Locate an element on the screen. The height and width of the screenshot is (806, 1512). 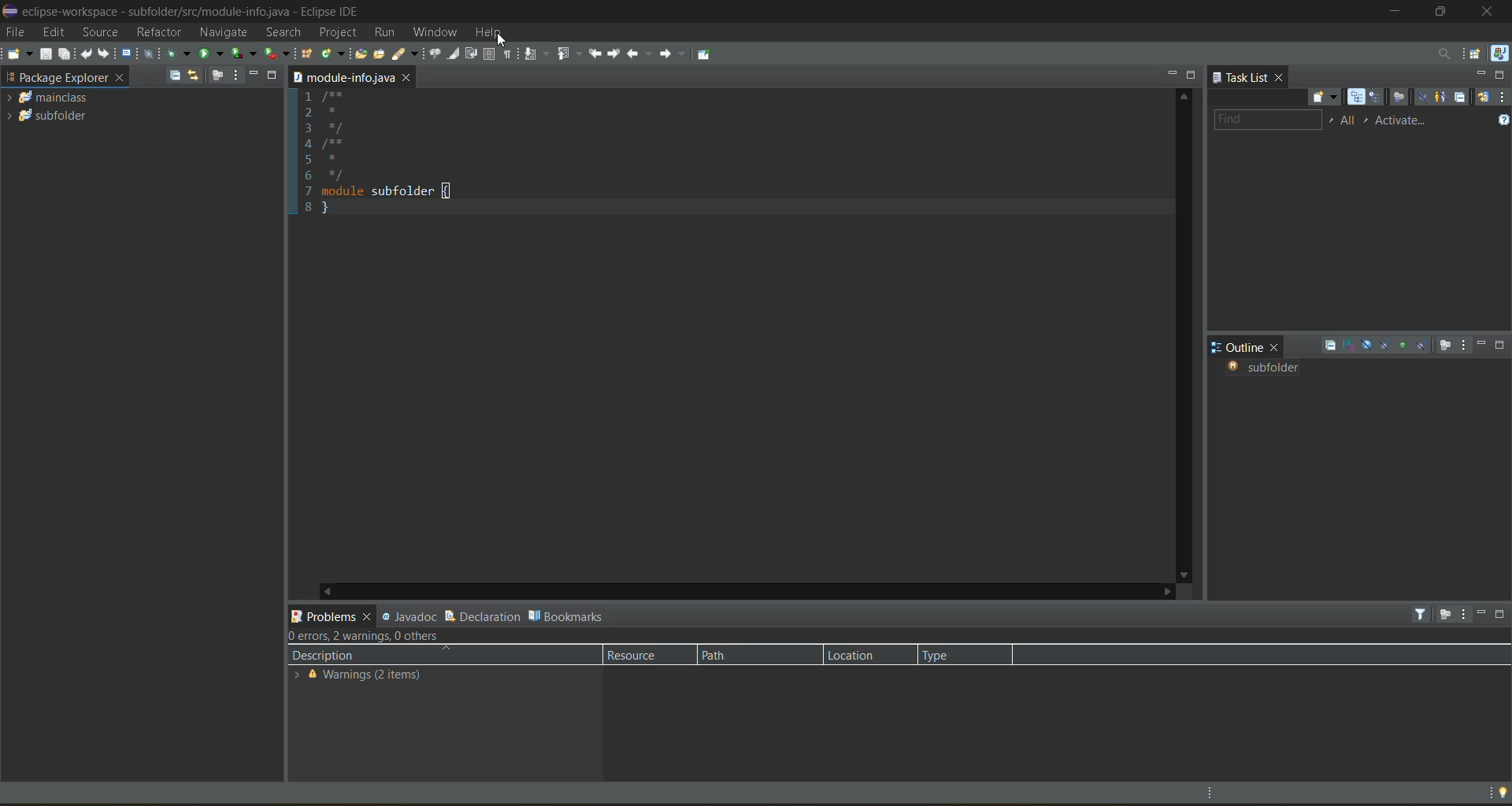
view menu is located at coordinates (1467, 613).